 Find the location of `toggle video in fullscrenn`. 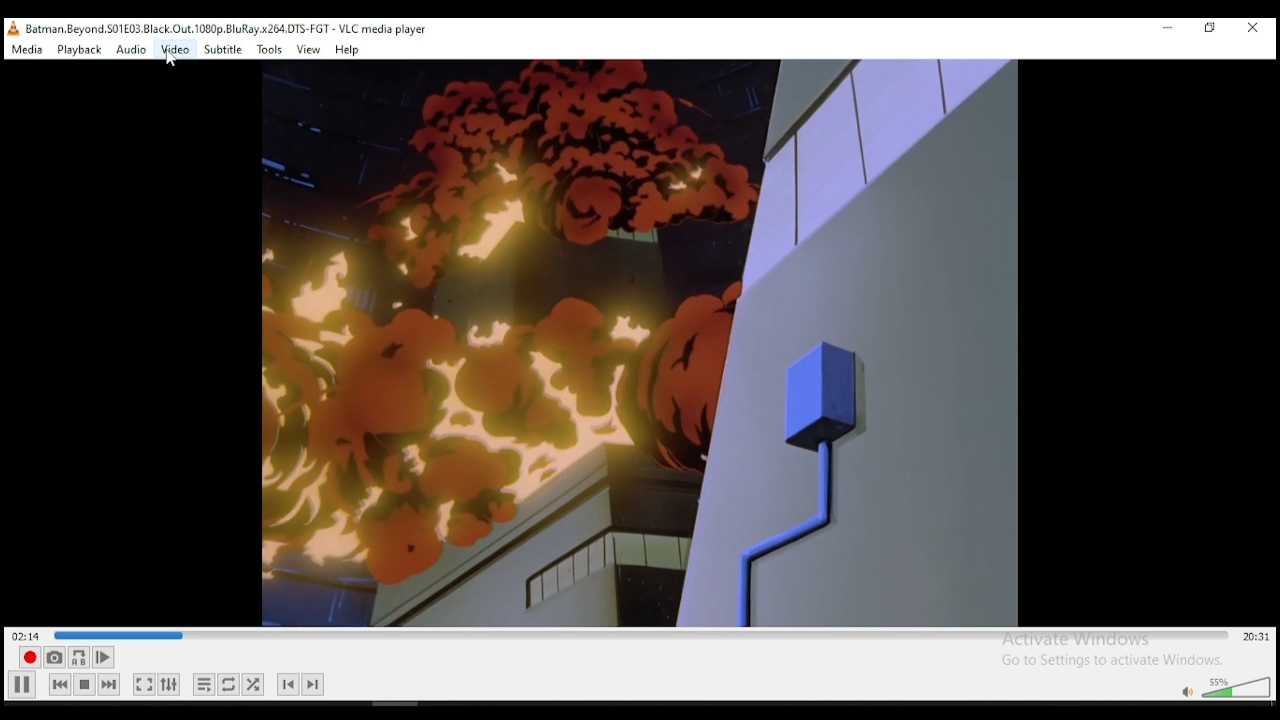

toggle video in fullscrenn is located at coordinates (144, 685).